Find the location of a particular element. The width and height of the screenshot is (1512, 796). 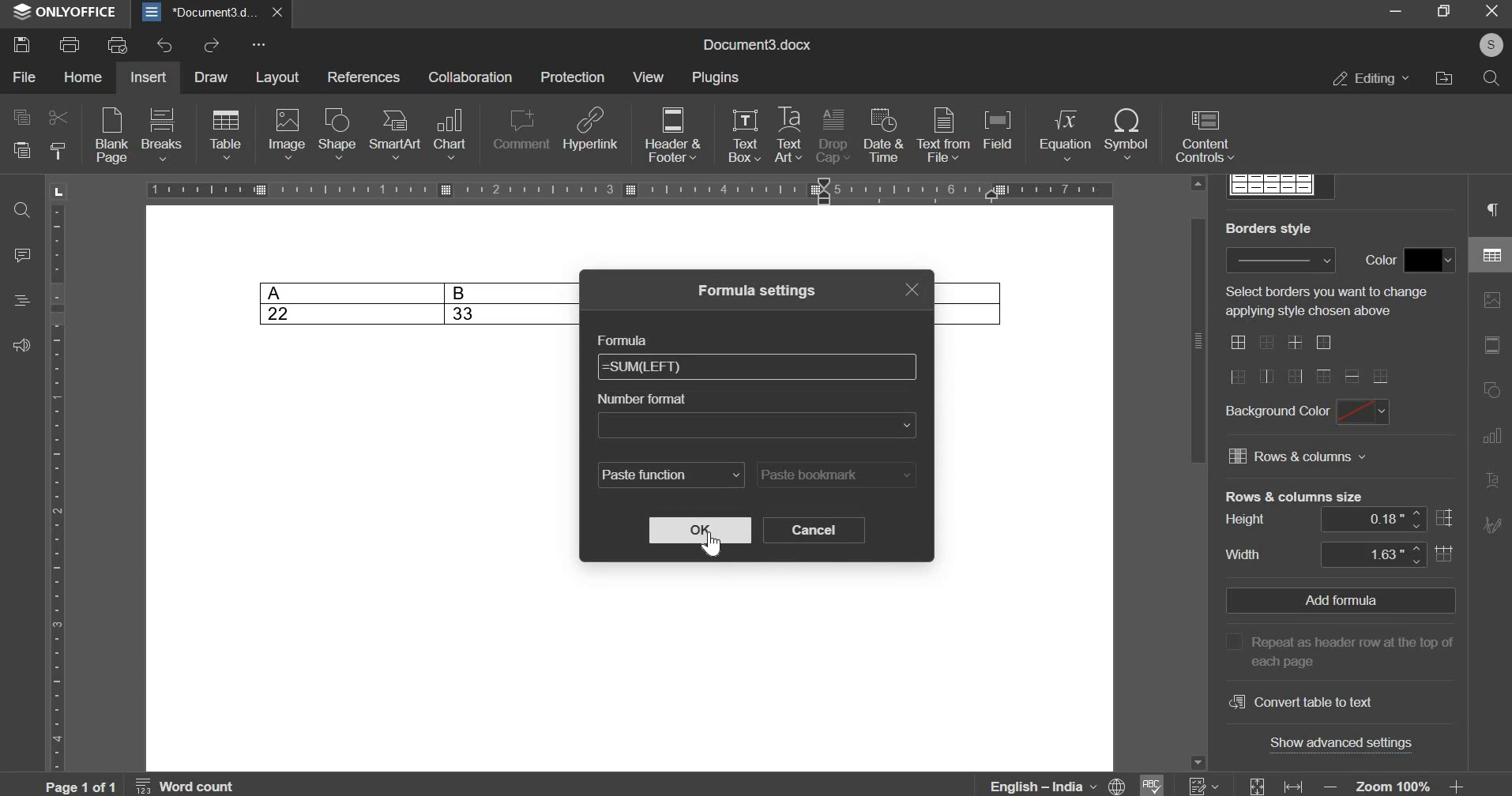

chart is located at coordinates (451, 132).